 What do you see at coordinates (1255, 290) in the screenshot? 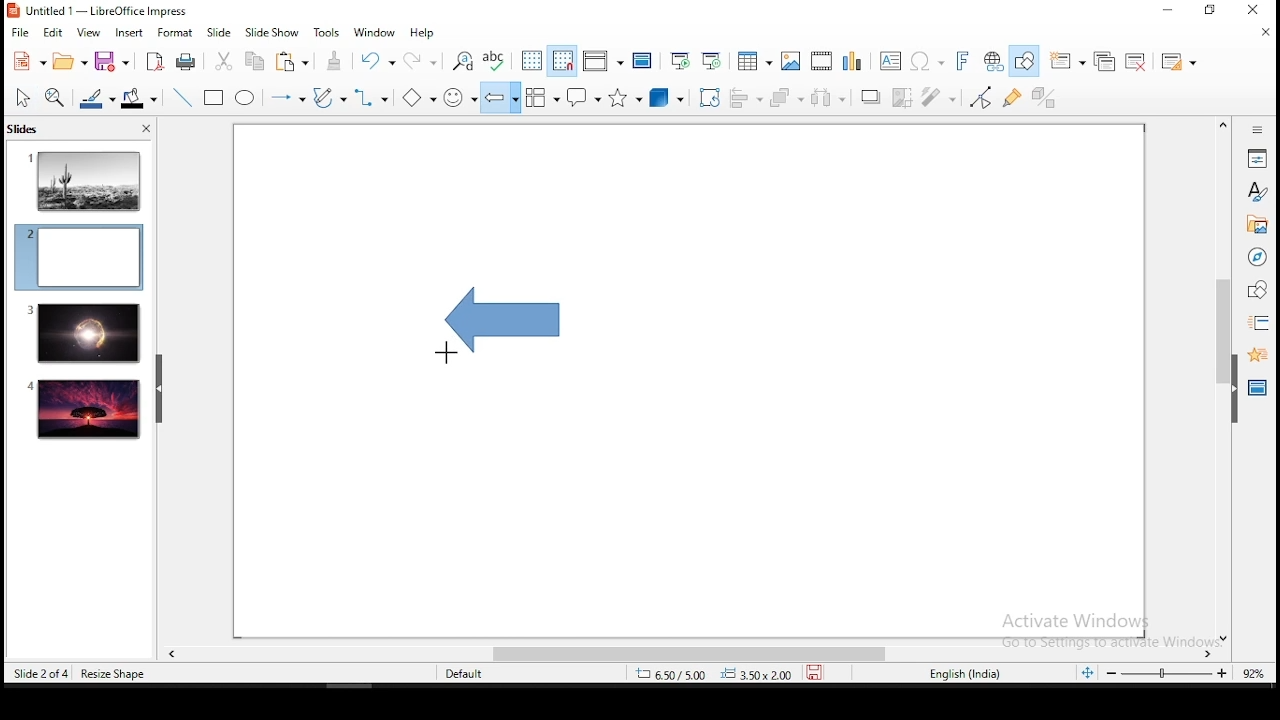
I see `shapes` at bounding box center [1255, 290].